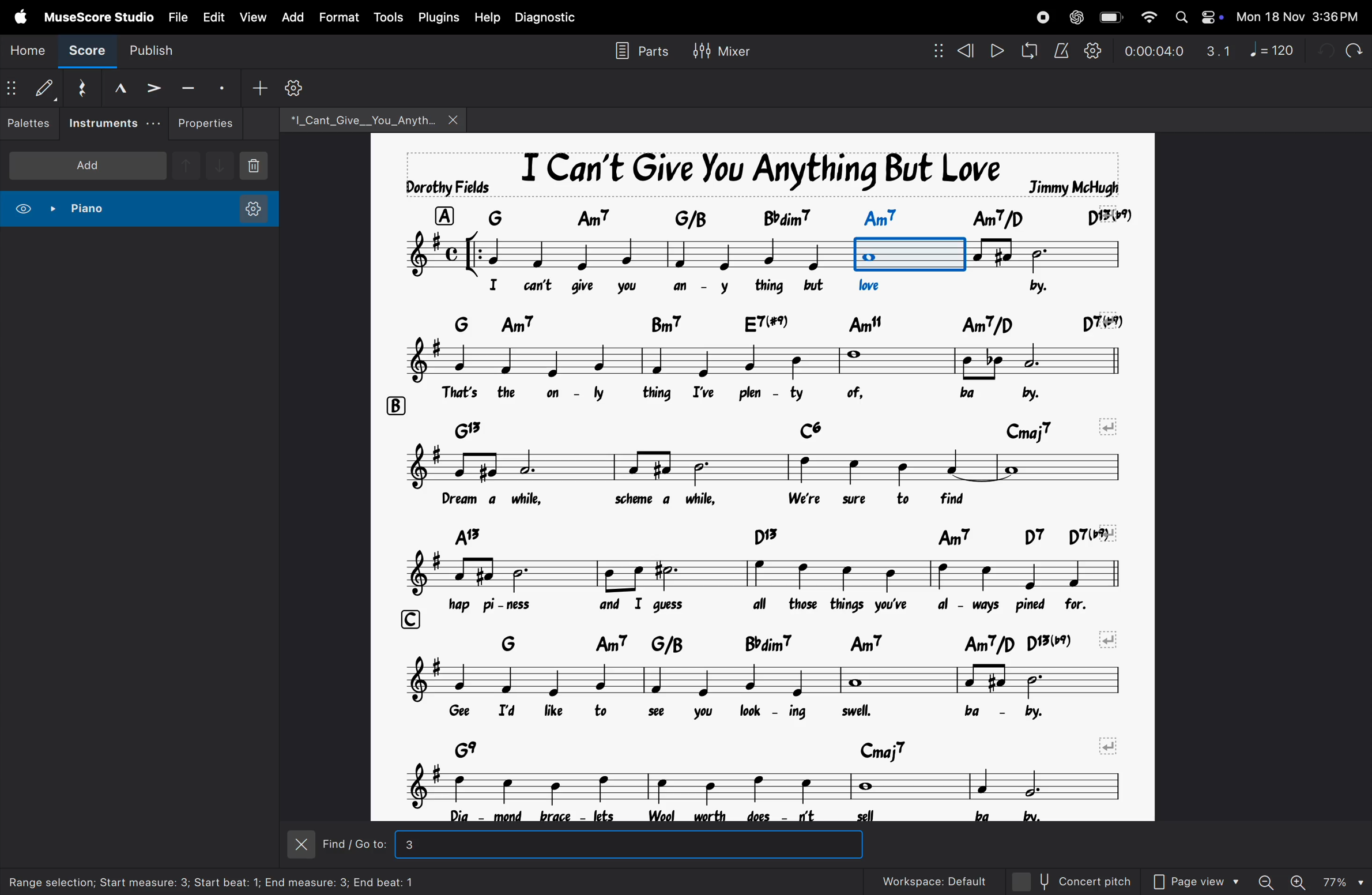  Describe the element at coordinates (31, 123) in the screenshot. I see `palettes` at that location.